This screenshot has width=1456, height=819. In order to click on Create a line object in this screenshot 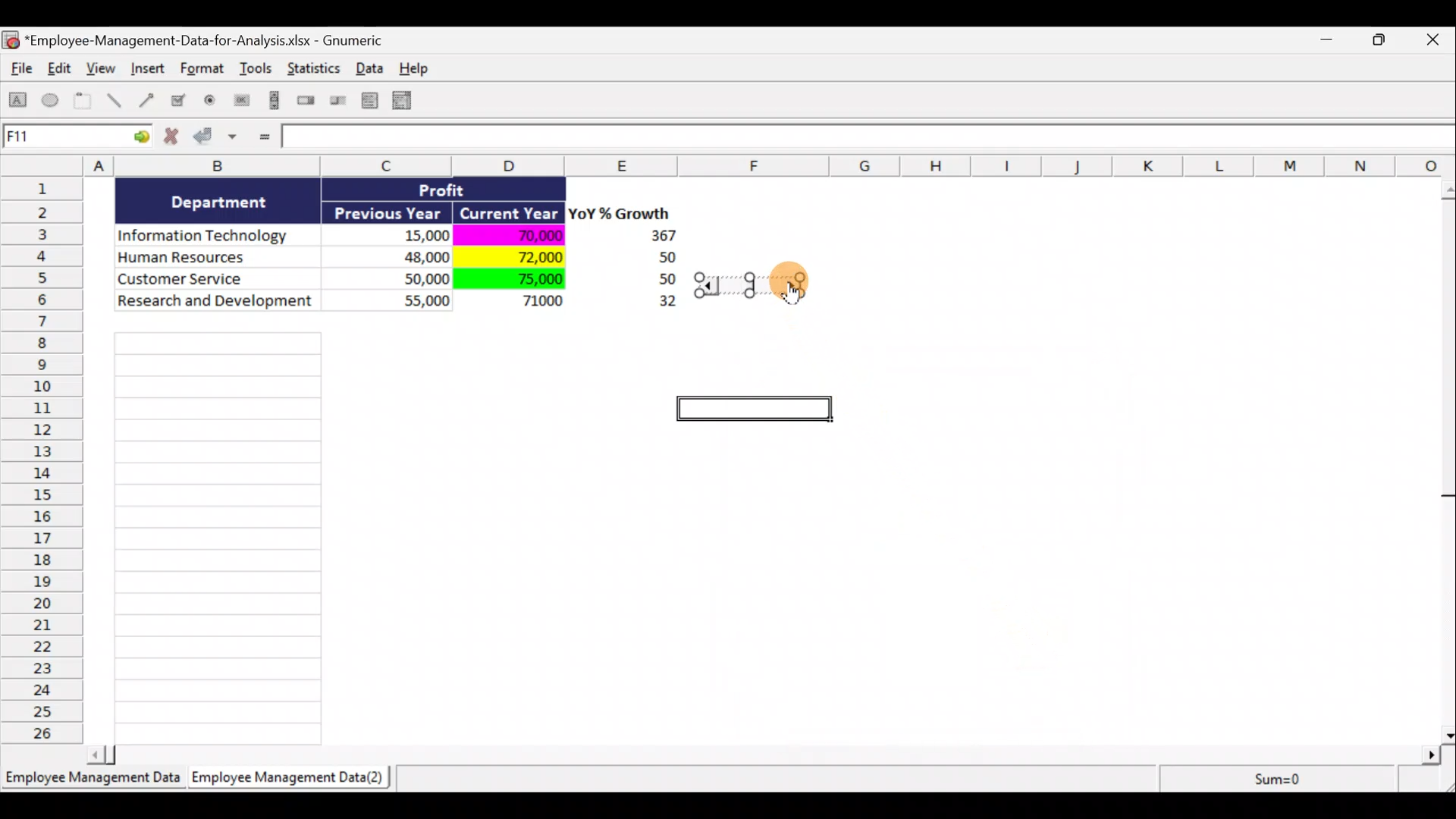, I will do `click(117, 101)`.